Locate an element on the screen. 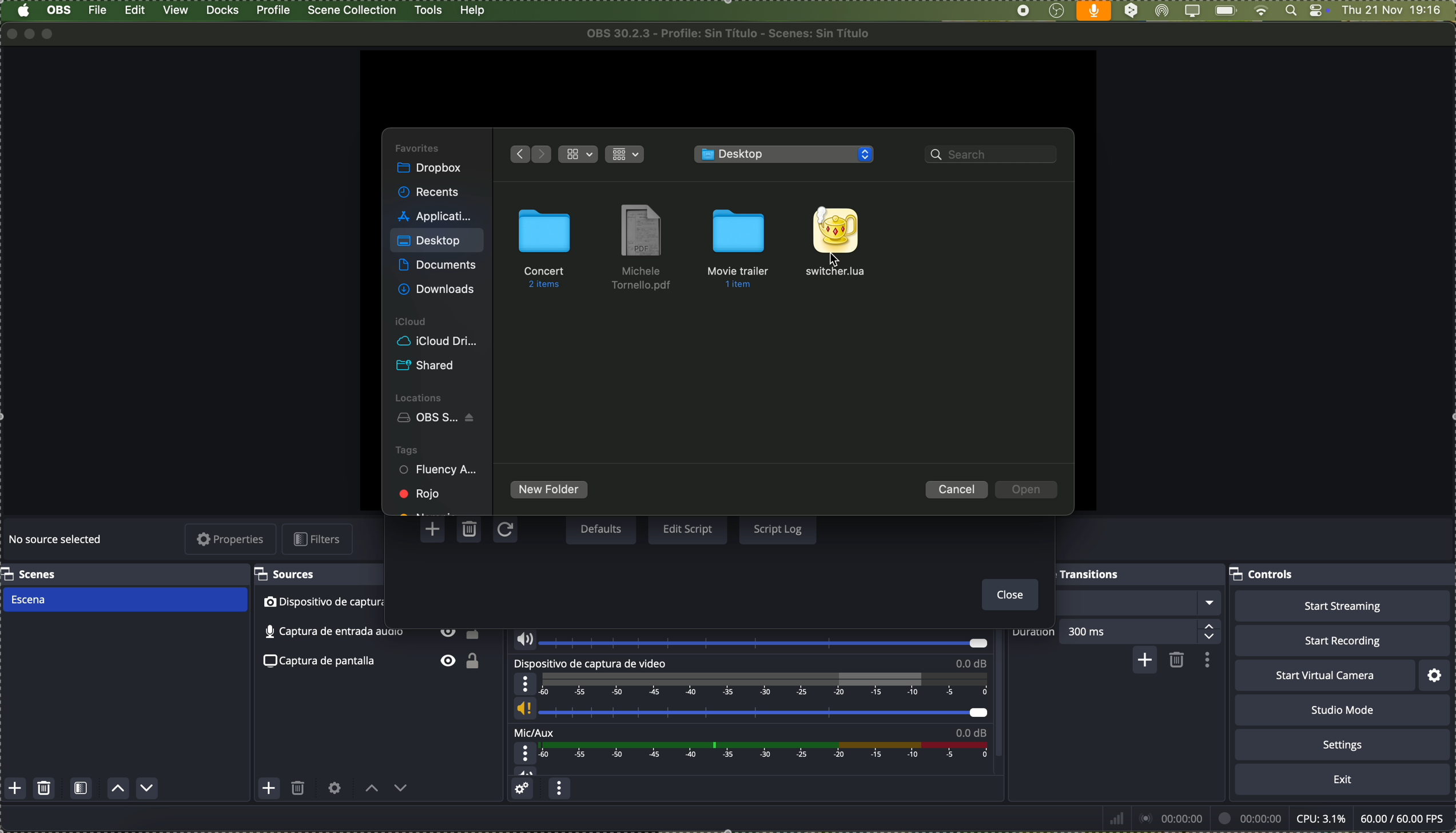 The width and height of the screenshot is (1456, 833). click on tools is located at coordinates (430, 9).